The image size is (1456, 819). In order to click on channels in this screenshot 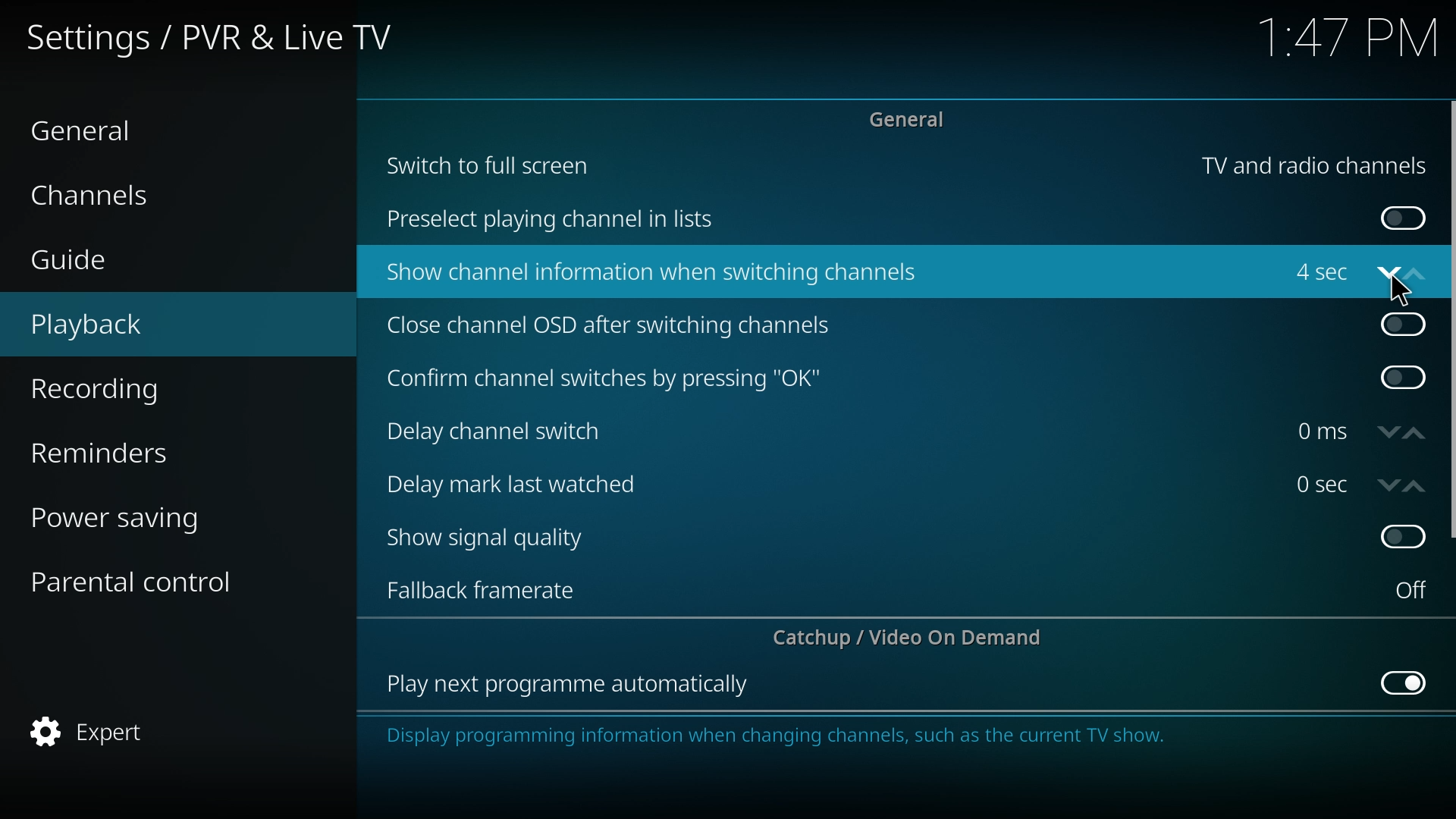, I will do `click(121, 193)`.